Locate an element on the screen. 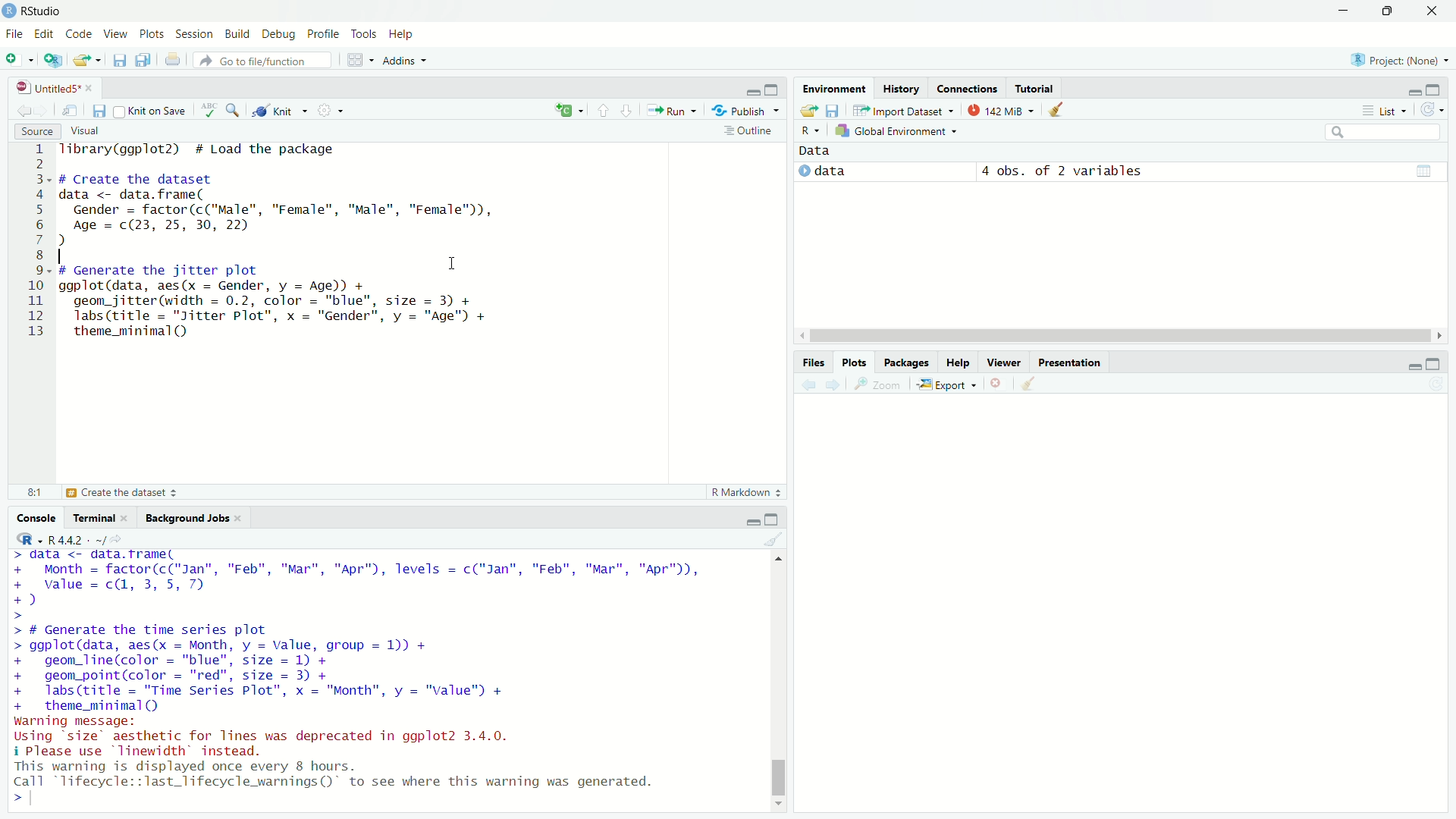 The image size is (1456, 819). view is located at coordinates (112, 33).